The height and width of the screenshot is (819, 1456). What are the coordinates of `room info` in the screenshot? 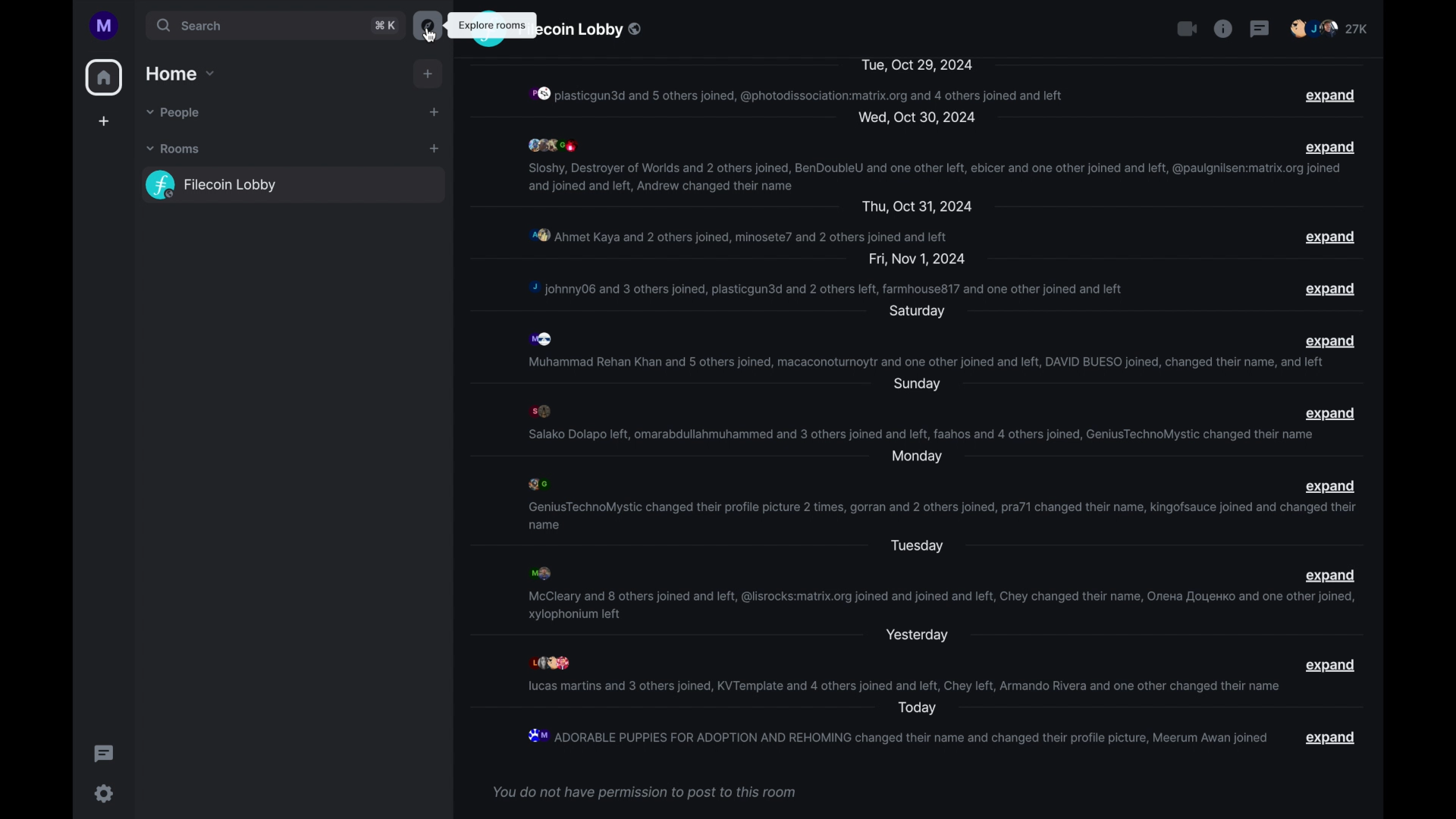 It's located at (1223, 28).